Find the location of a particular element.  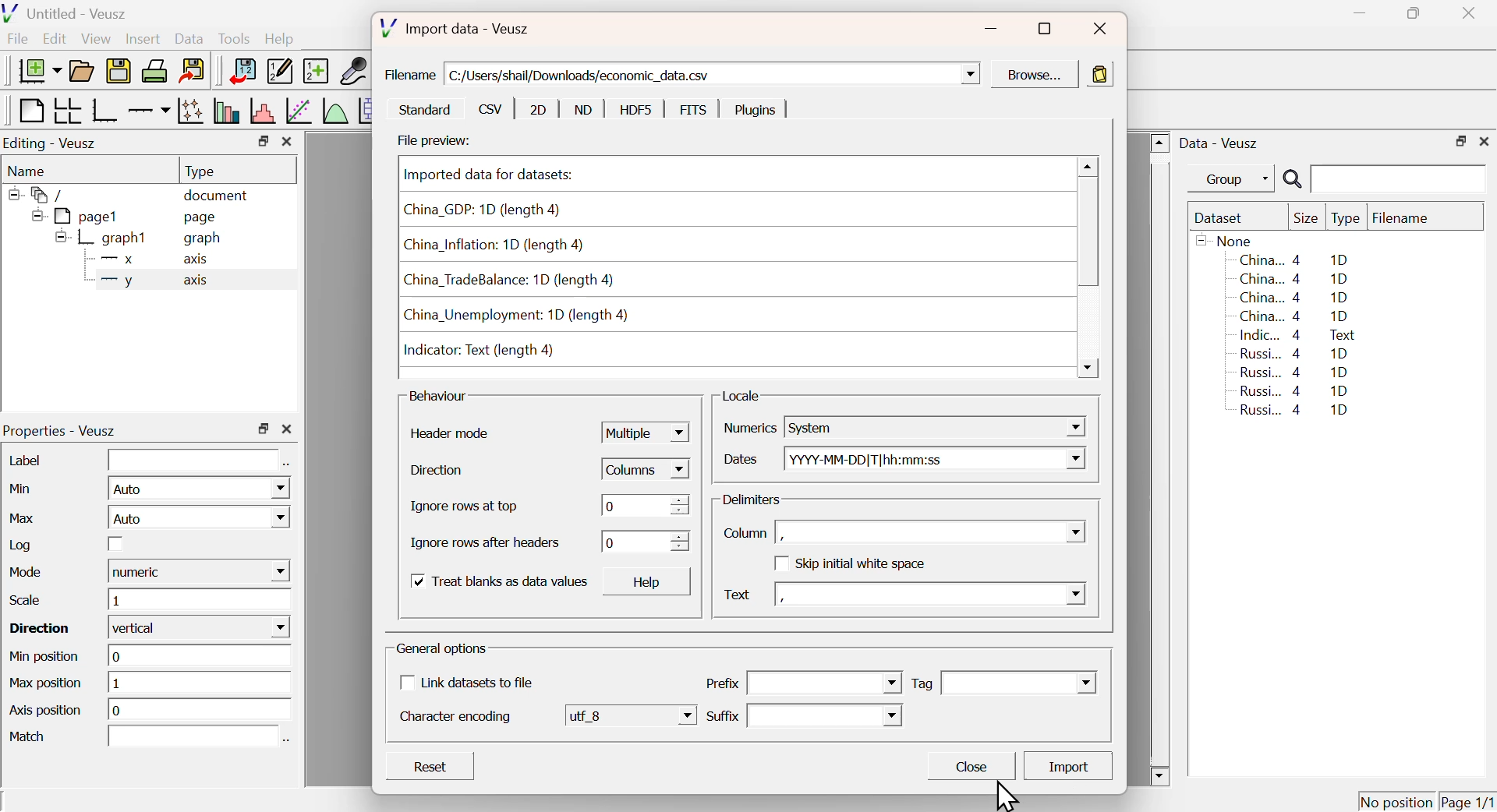

Select using dataset Browser is located at coordinates (286, 466).